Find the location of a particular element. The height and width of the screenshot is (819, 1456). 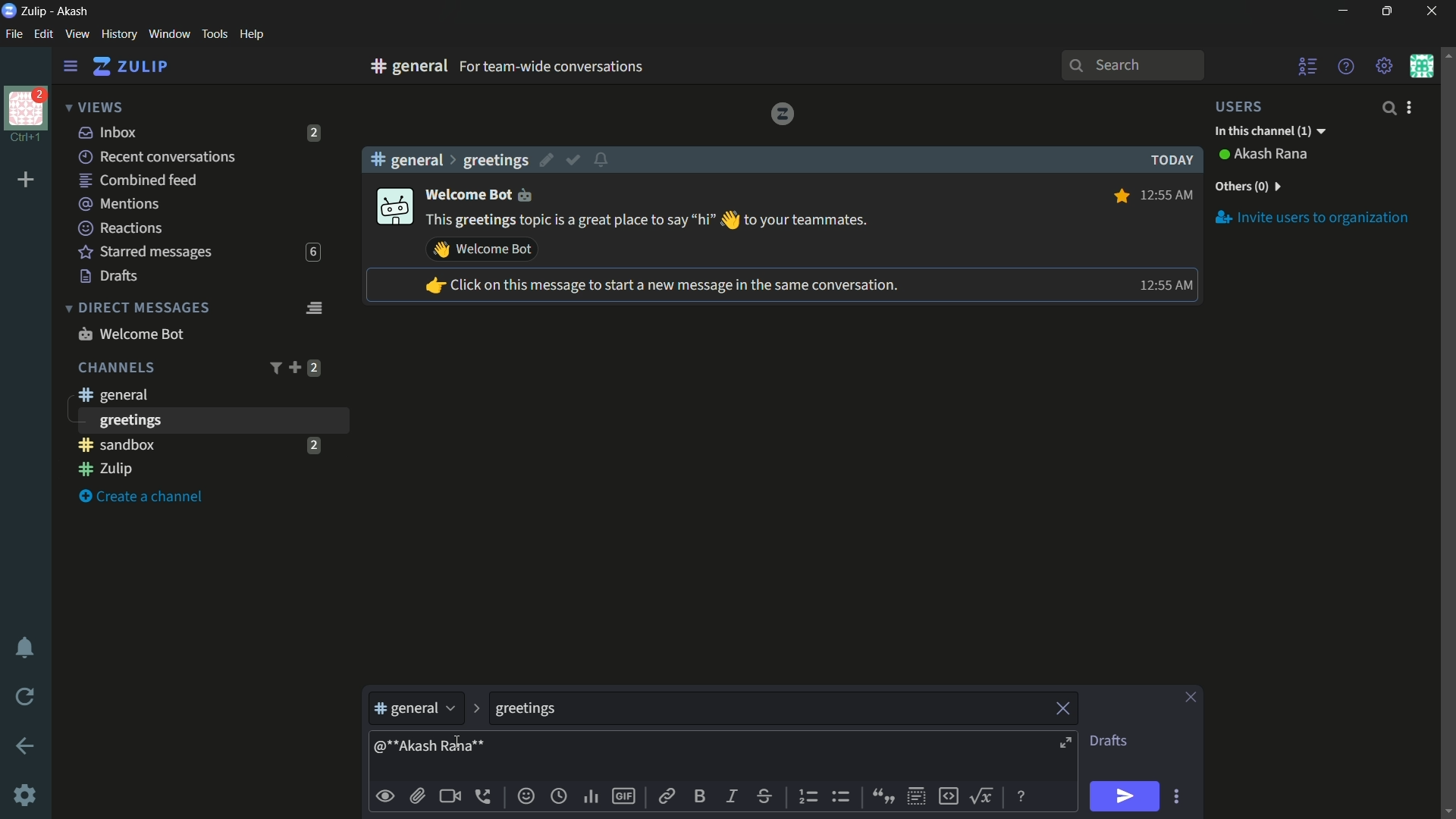

recent conversation is located at coordinates (158, 157).